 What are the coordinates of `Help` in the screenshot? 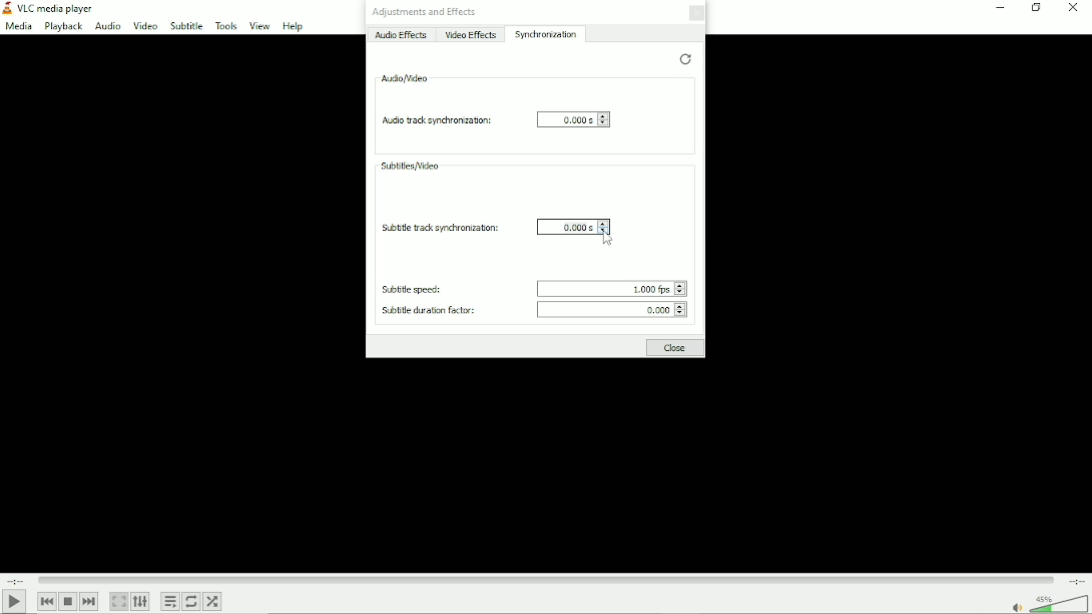 It's located at (295, 26).